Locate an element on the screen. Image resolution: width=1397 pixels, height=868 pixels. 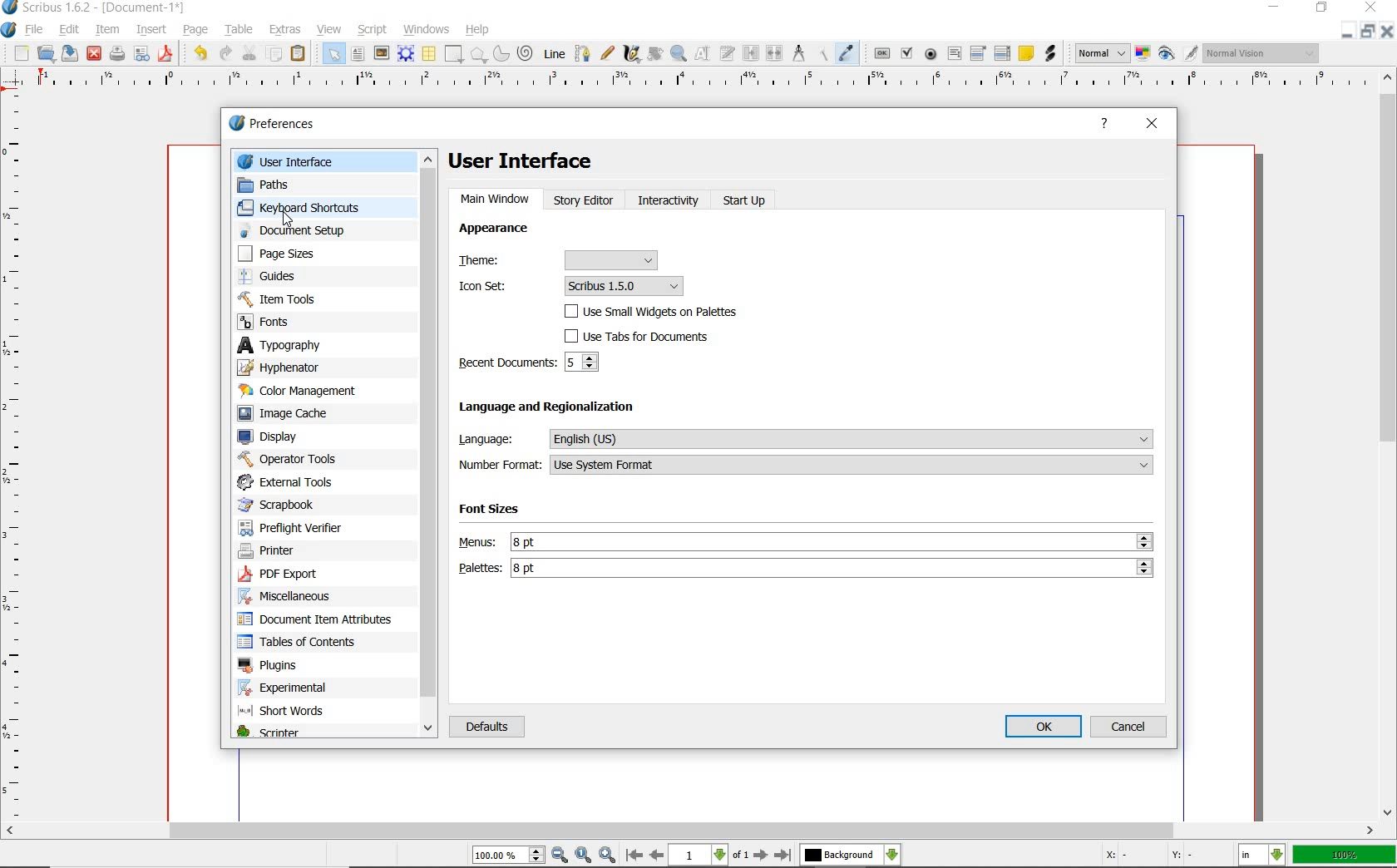
close is located at coordinates (1387, 31).